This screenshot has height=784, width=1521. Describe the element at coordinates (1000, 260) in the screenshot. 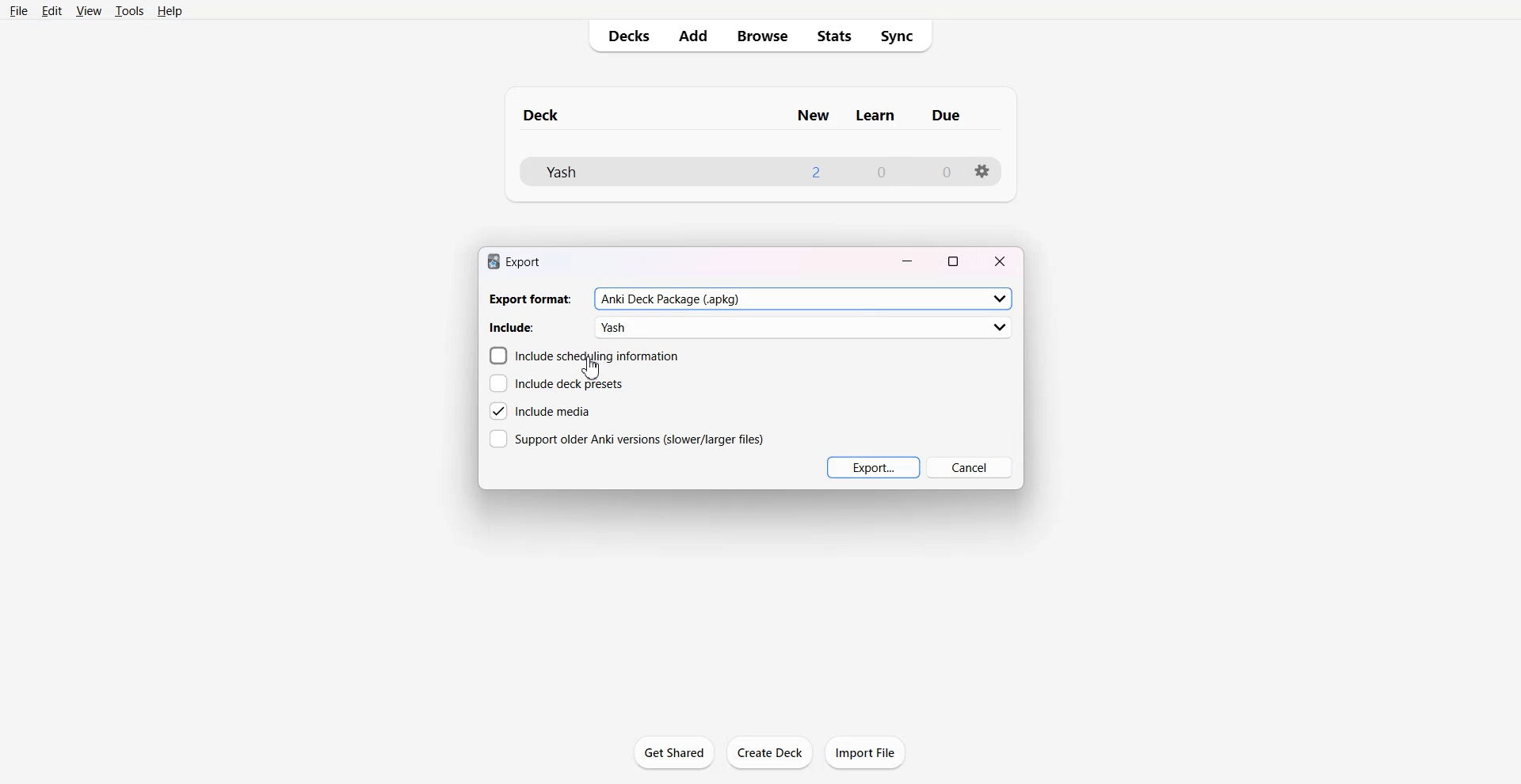

I see `Close` at that location.